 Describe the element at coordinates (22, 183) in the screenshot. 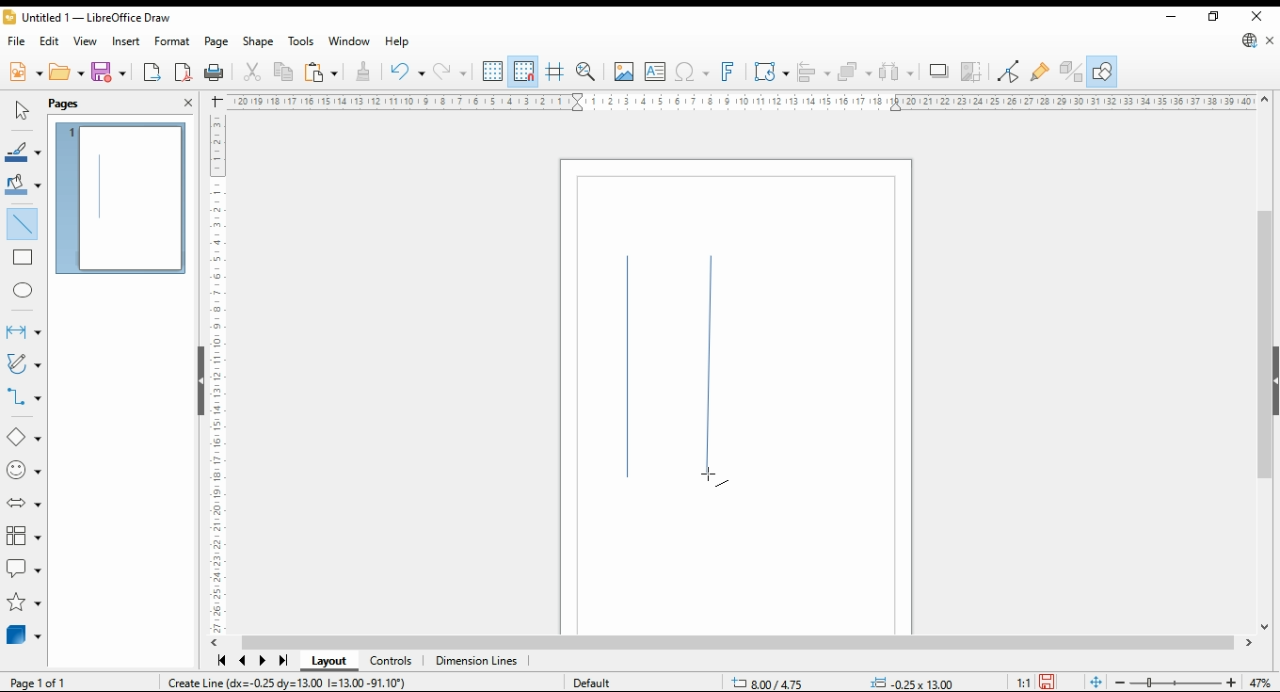

I see `fill color` at that location.